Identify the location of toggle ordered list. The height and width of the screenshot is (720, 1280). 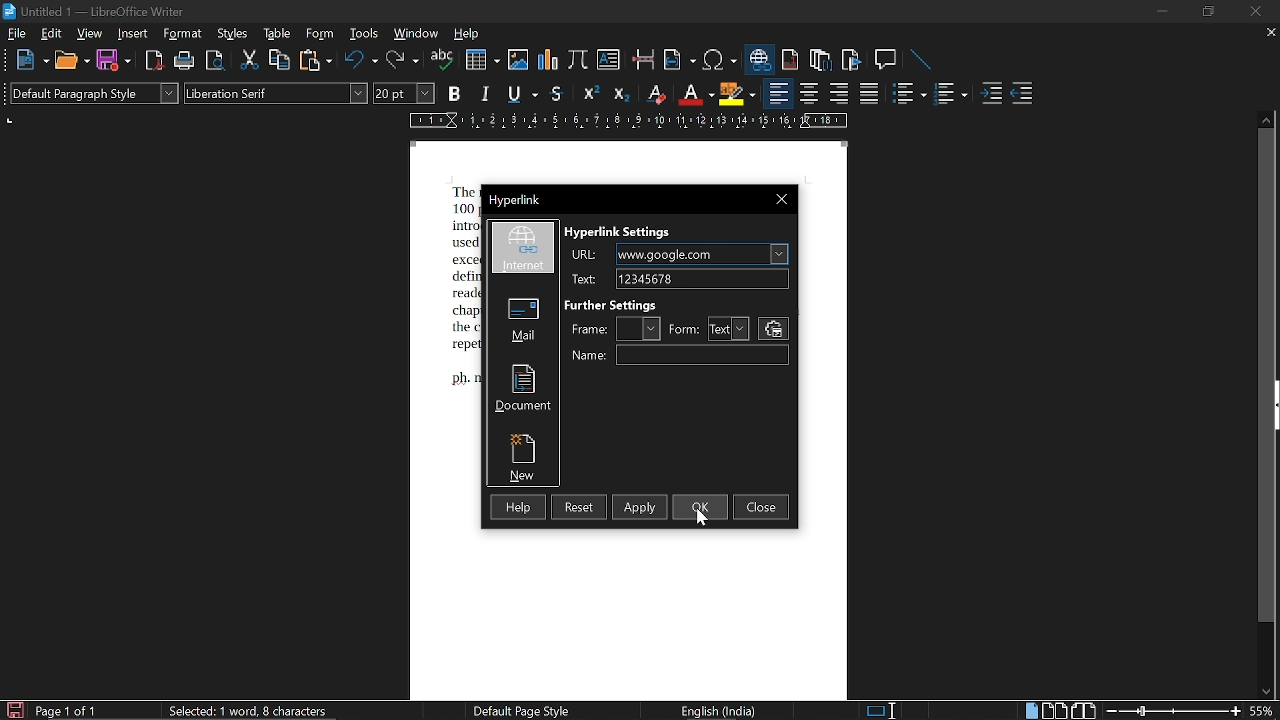
(951, 96).